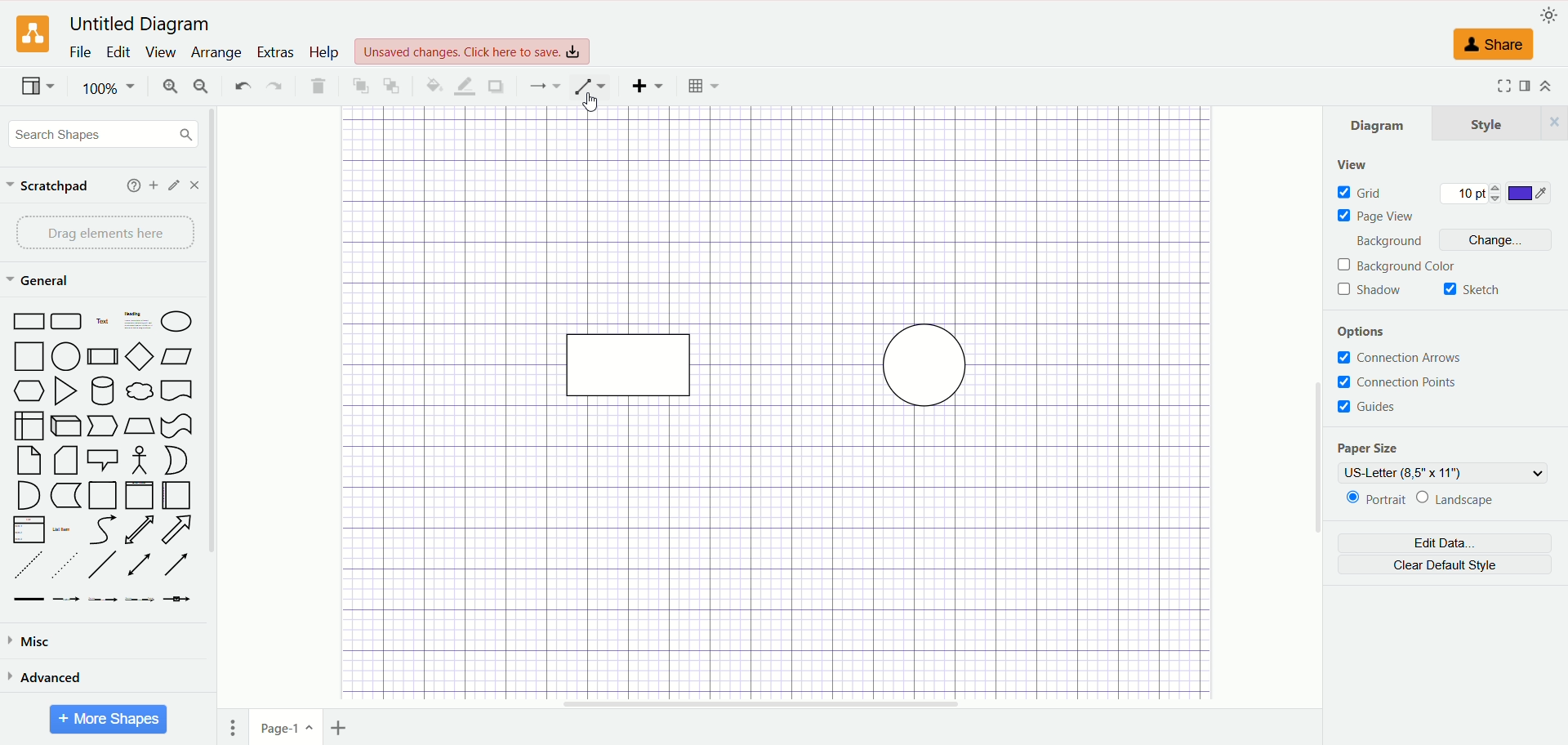  What do you see at coordinates (1366, 333) in the screenshot?
I see `options` at bounding box center [1366, 333].